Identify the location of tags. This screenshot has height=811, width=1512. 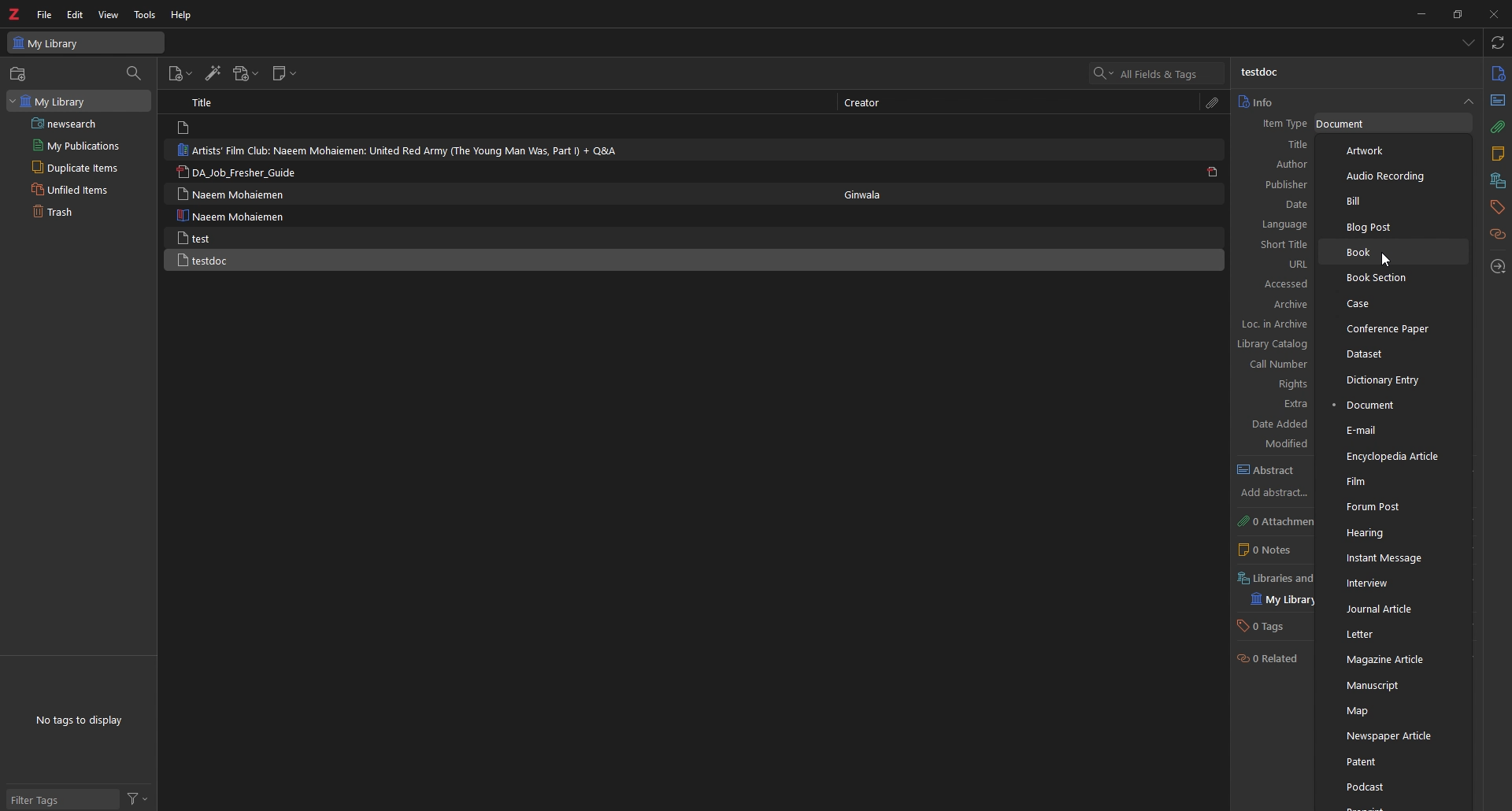
(1496, 208).